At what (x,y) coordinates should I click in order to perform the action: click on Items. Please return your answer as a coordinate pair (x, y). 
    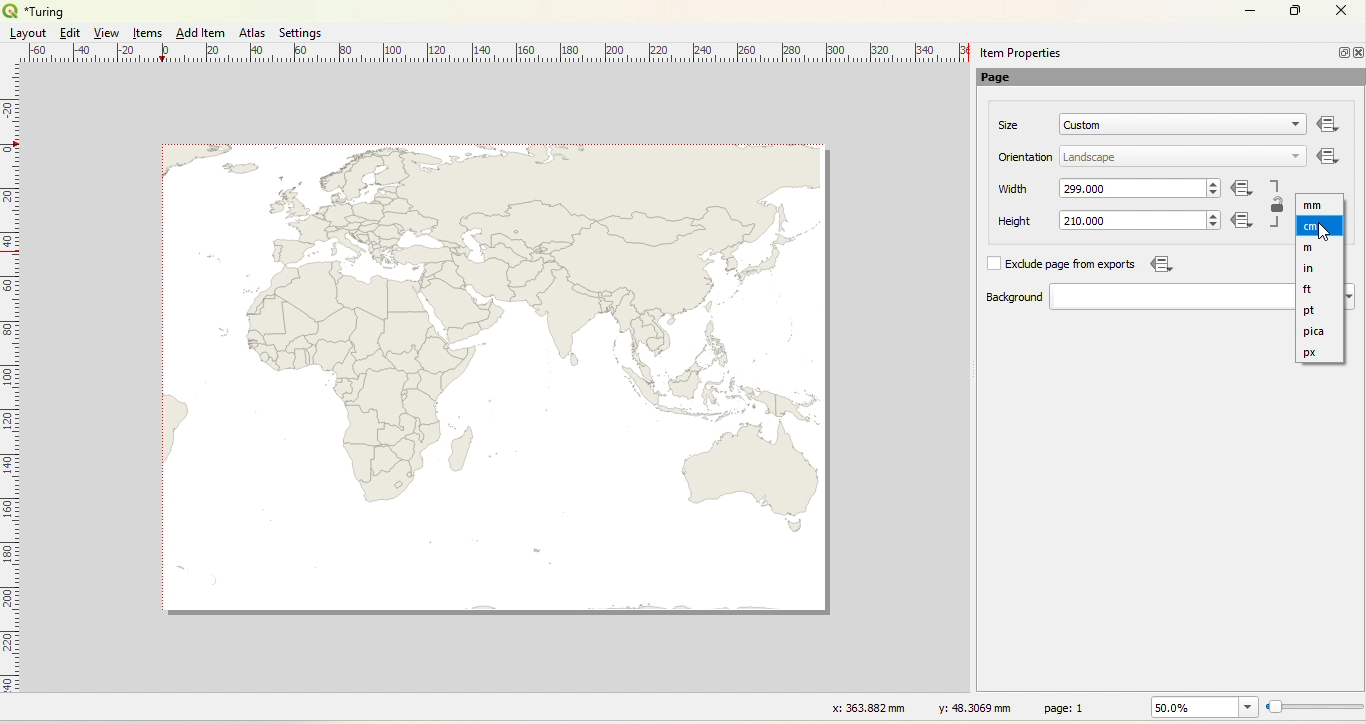
    Looking at the image, I should click on (149, 34).